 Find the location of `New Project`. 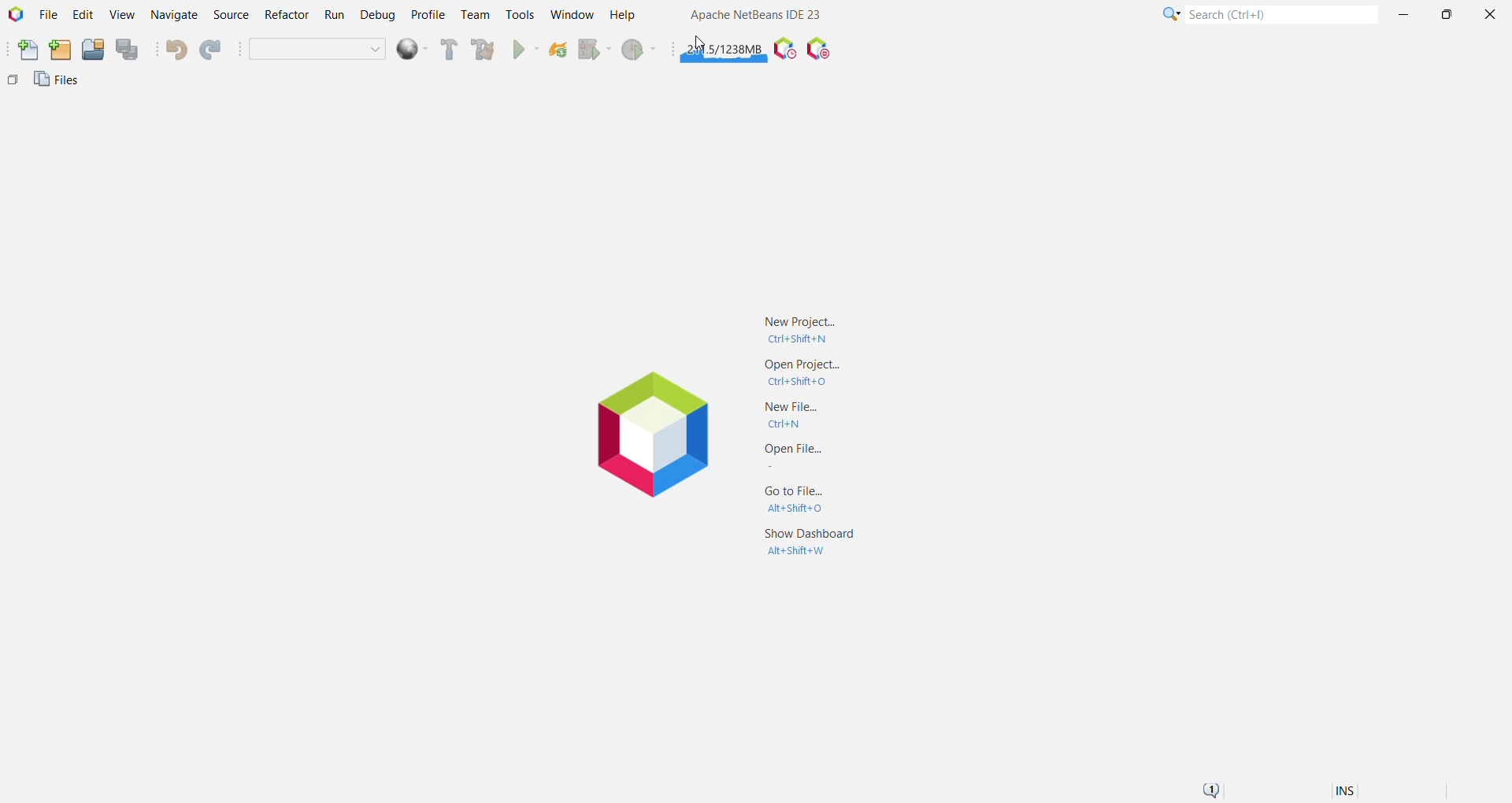

New Project is located at coordinates (60, 50).